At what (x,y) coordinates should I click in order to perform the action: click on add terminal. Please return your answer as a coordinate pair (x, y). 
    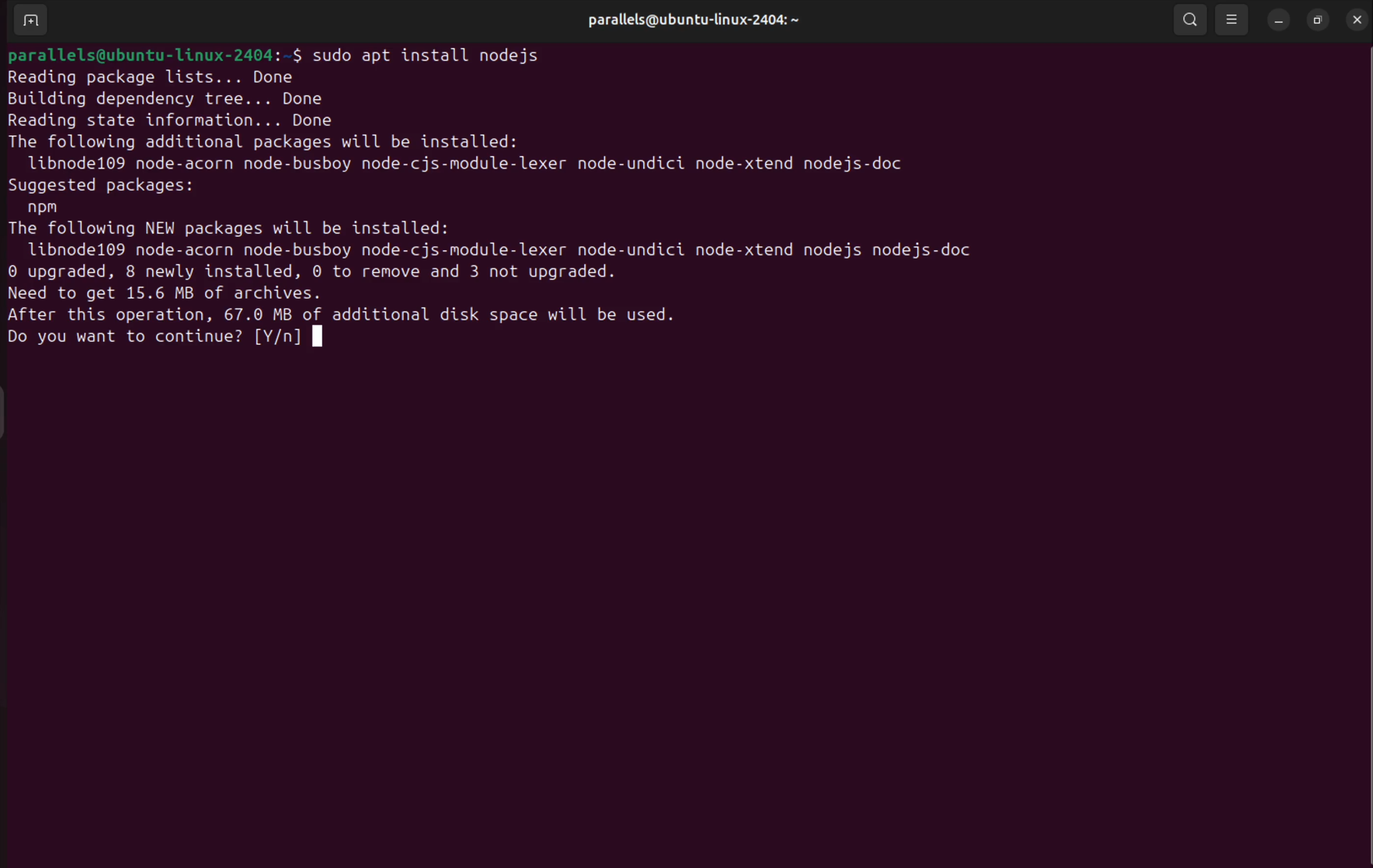
    Looking at the image, I should click on (29, 21).